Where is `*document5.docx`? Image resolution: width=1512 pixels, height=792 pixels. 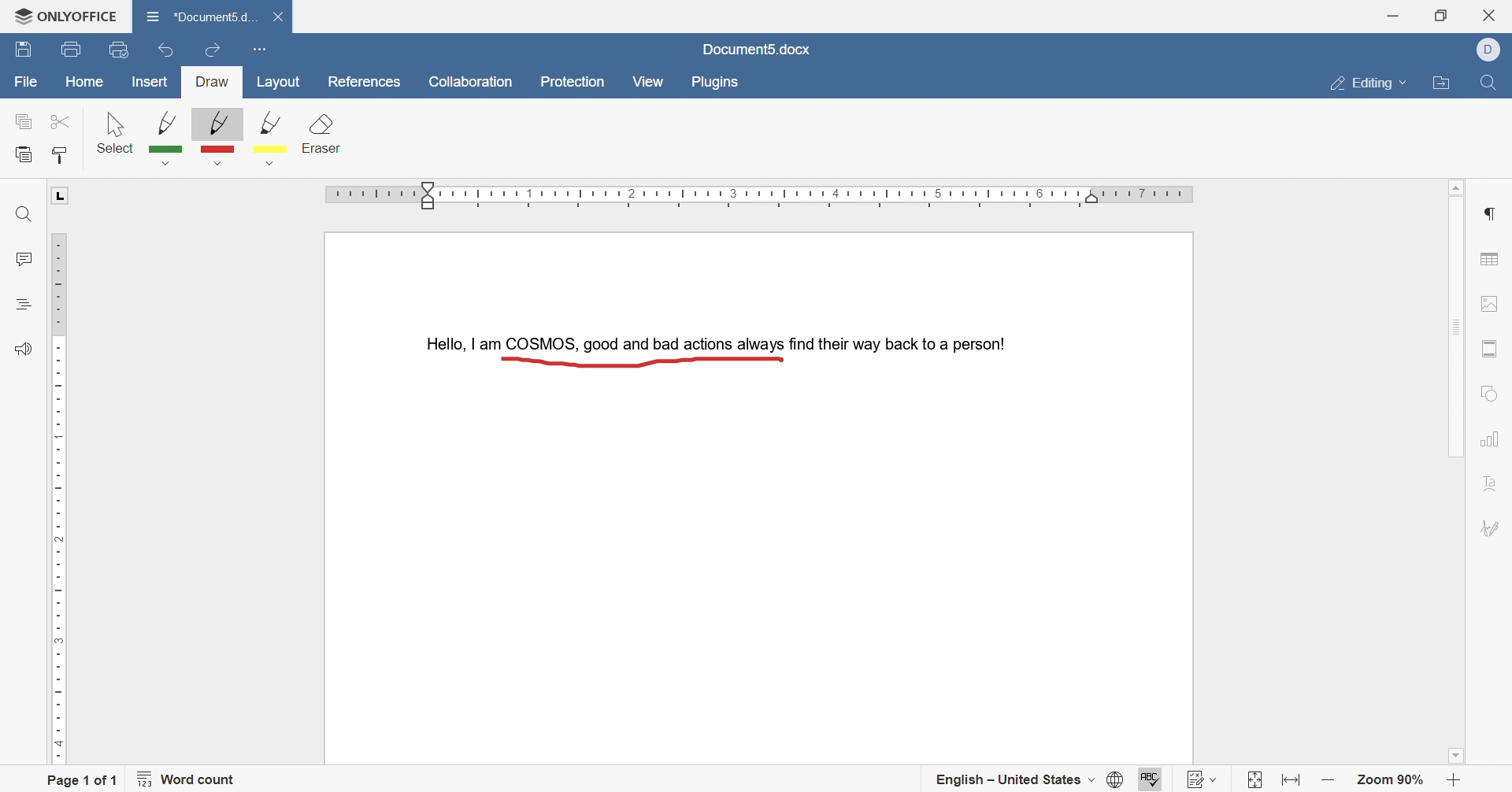
*document5.docx is located at coordinates (201, 14).